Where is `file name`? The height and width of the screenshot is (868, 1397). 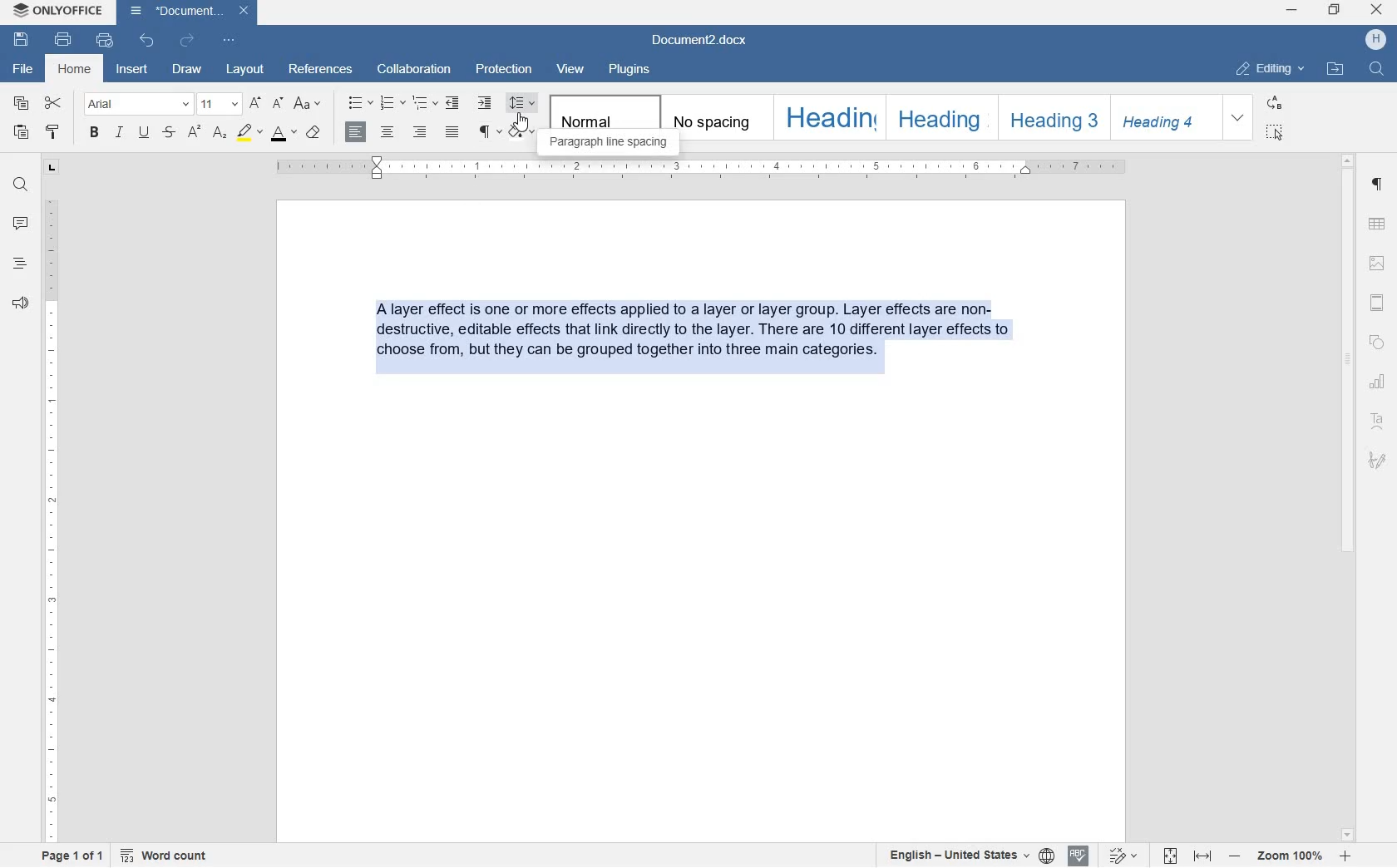 file name is located at coordinates (704, 42).